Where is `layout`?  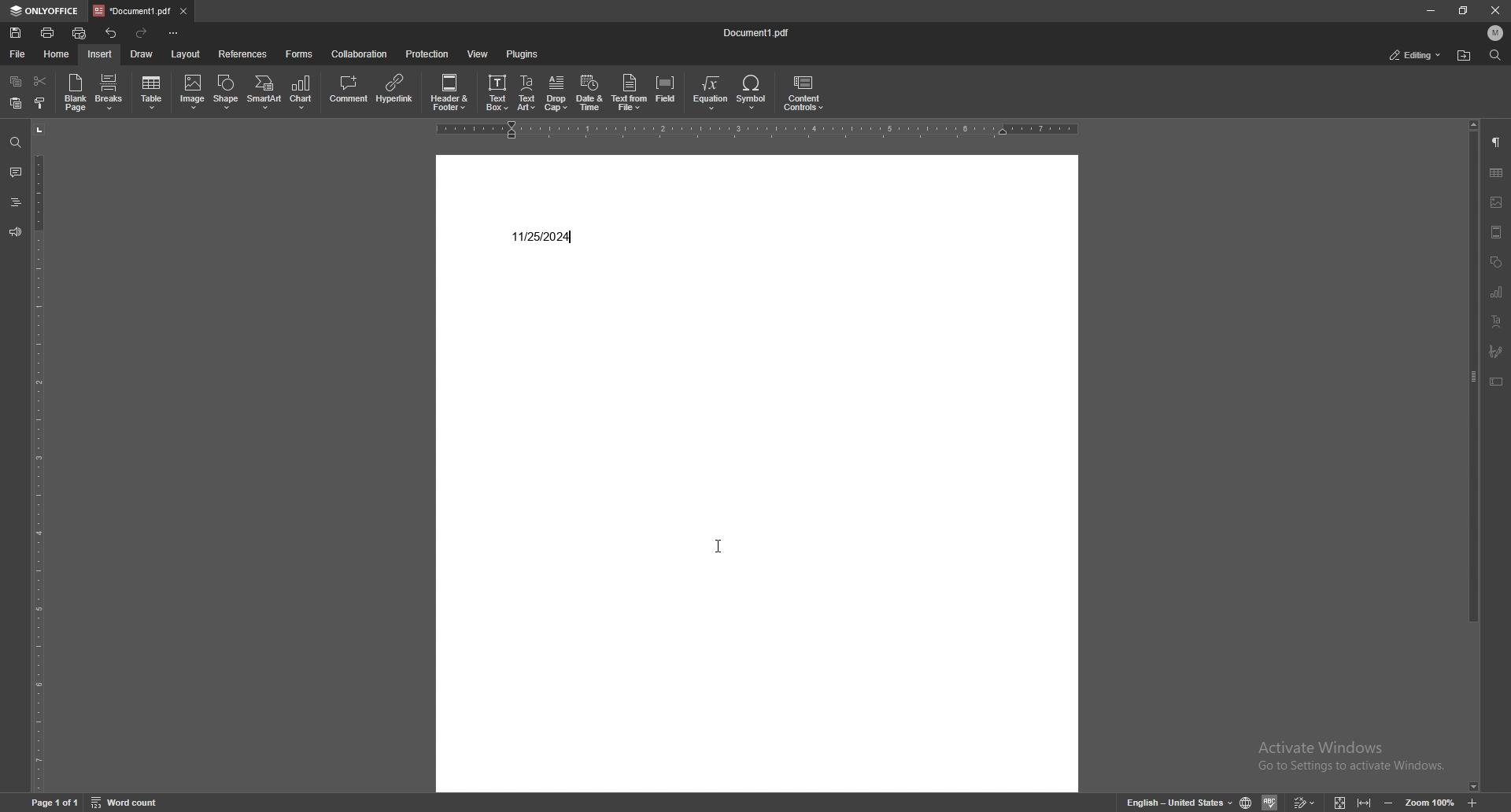 layout is located at coordinates (187, 55).